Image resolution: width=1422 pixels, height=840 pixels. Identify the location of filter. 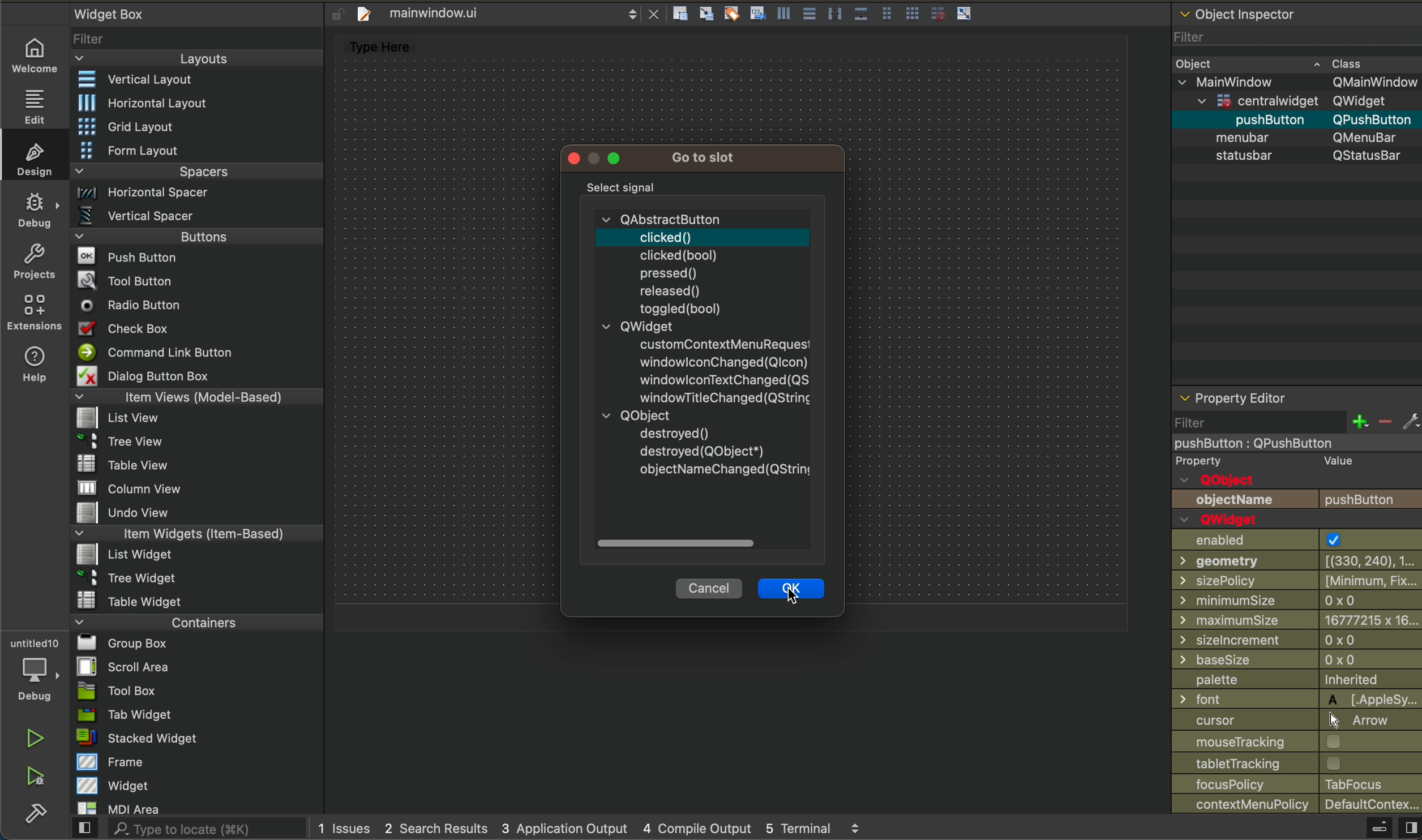
(199, 38).